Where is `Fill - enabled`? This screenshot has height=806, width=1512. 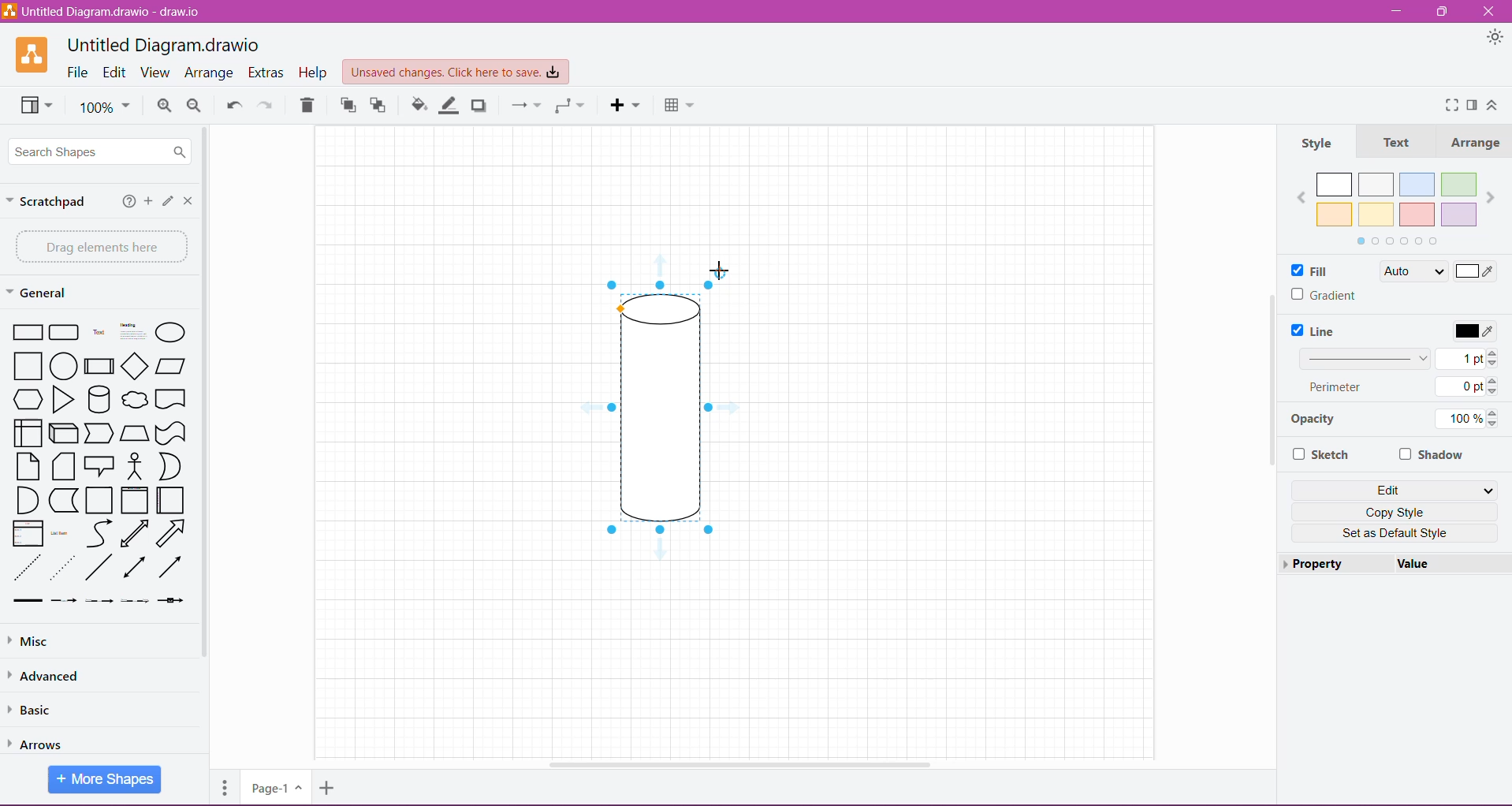 Fill - enabled is located at coordinates (1324, 270).